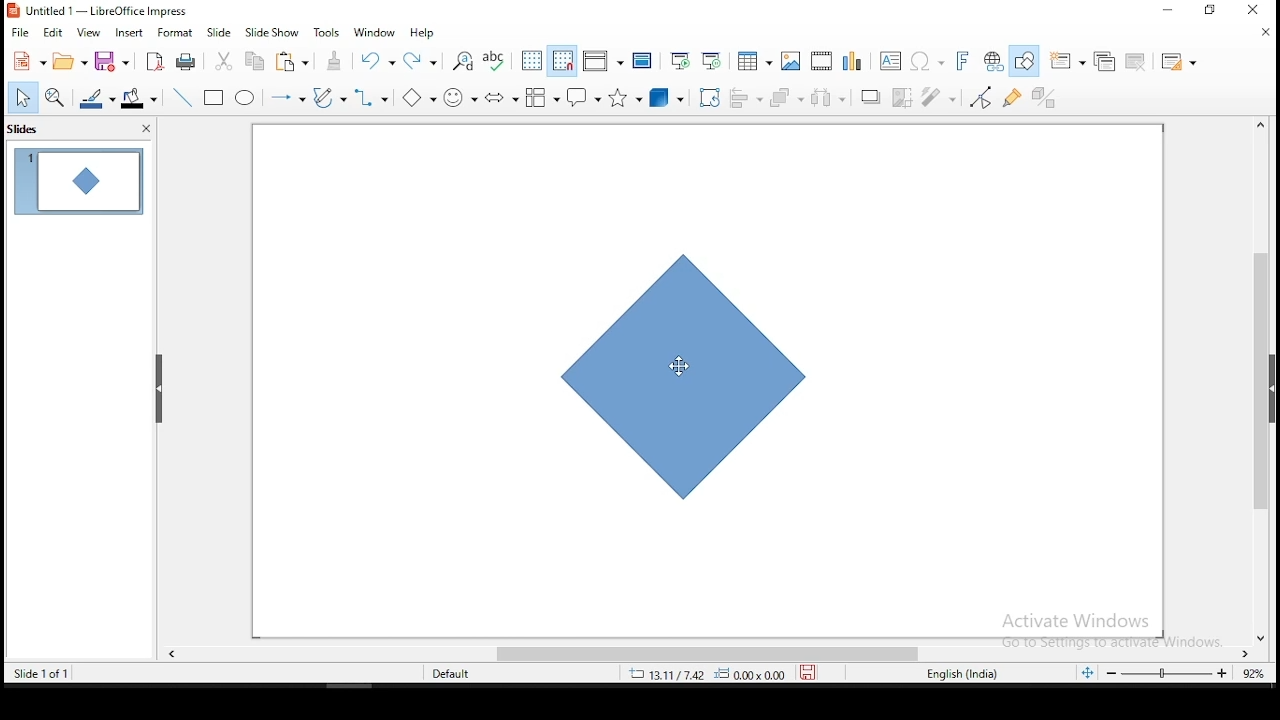 The height and width of the screenshot is (720, 1280). I want to click on DImensions, so click(702, 675).